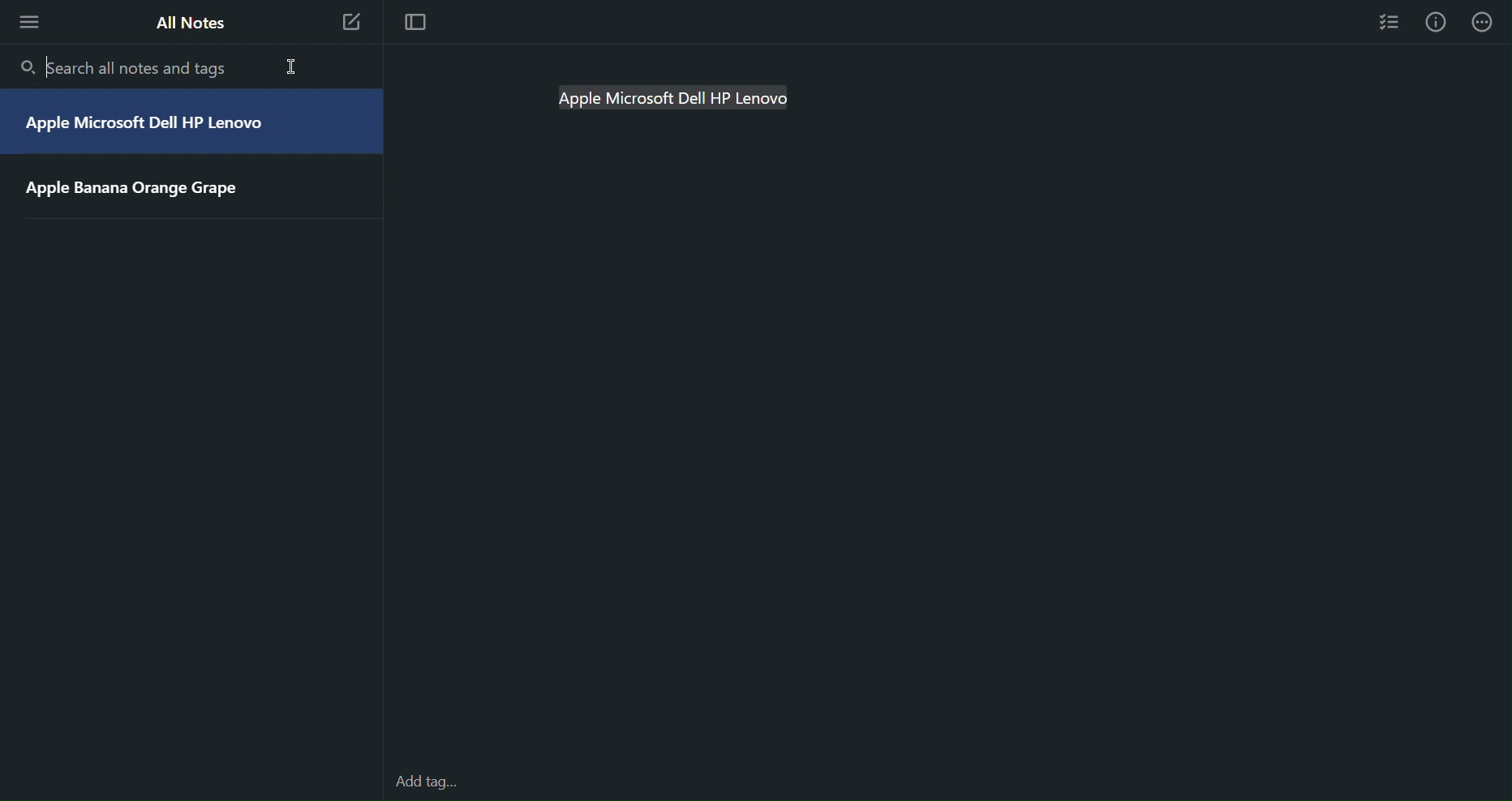 This screenshot has width=1512, height=801. What do you see at coordinates (351, 23) in the screenshot?
I see `New Note` at bounding box center [351, 23].